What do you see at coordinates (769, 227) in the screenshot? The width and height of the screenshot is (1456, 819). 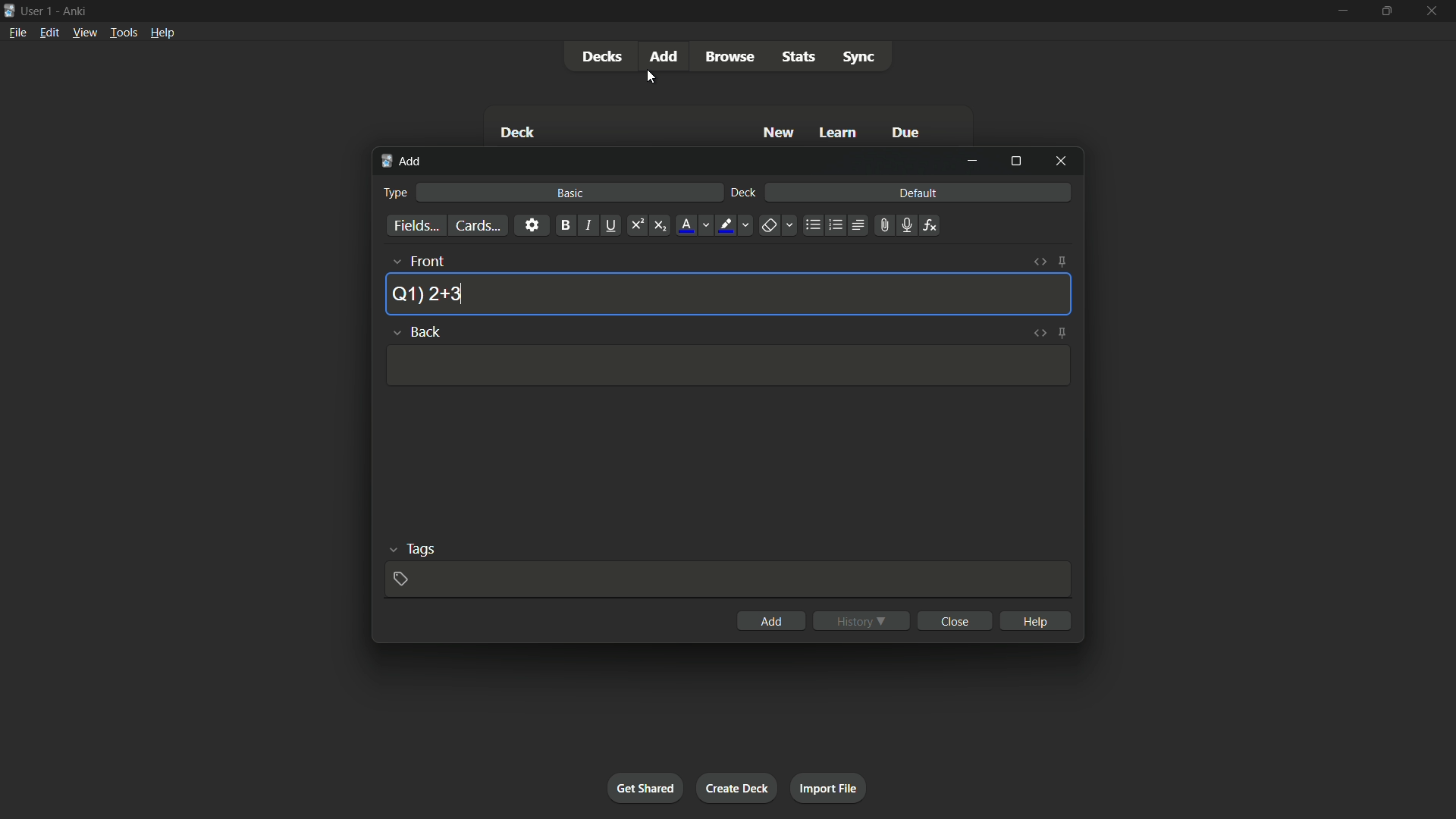 I see `remove formatting` at bounding box center [769, 227].